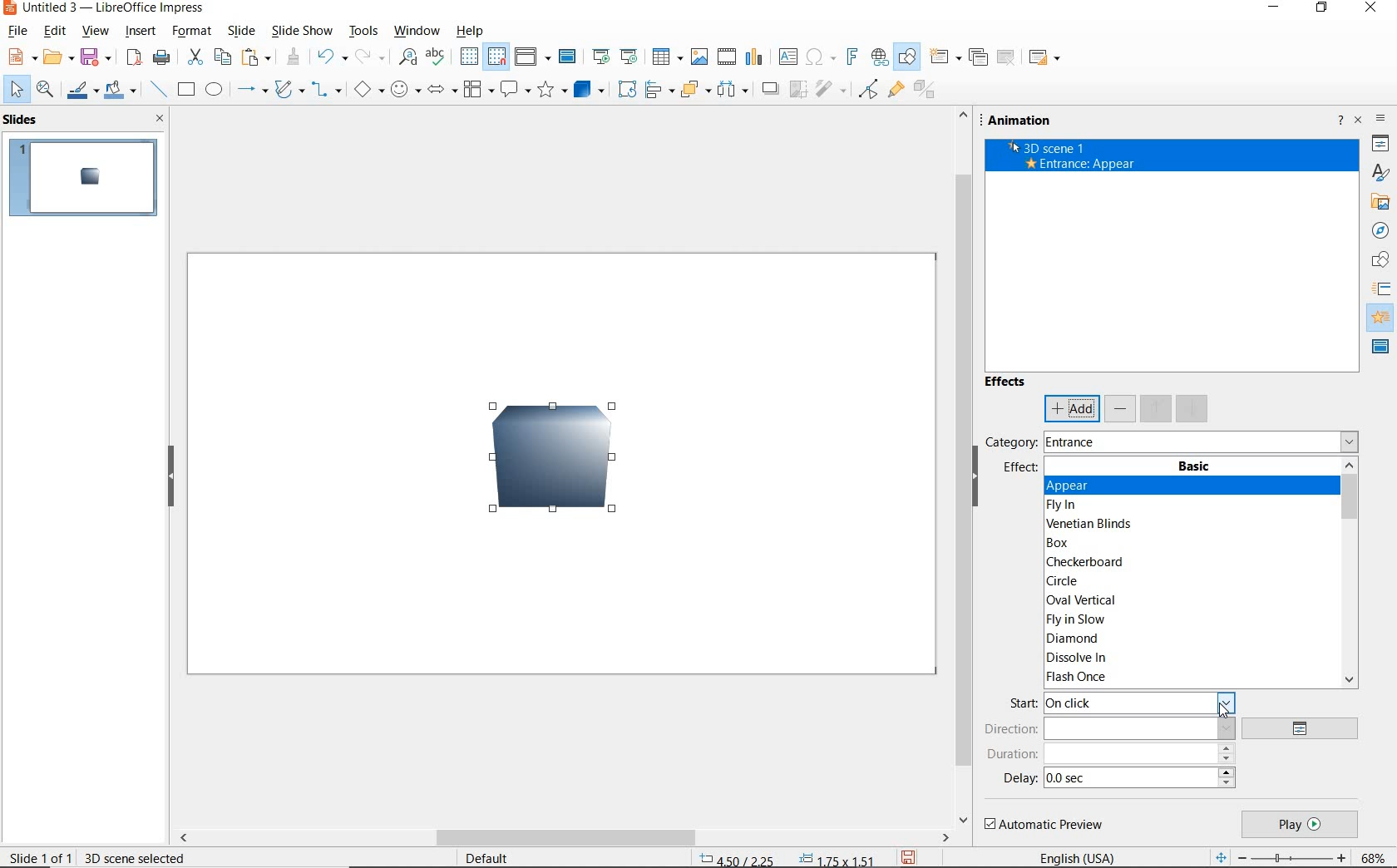 Image resolution: width=1397 pixels, height=868 pixels. I want to click on CHECKERBOARD, so click(1088, 563).